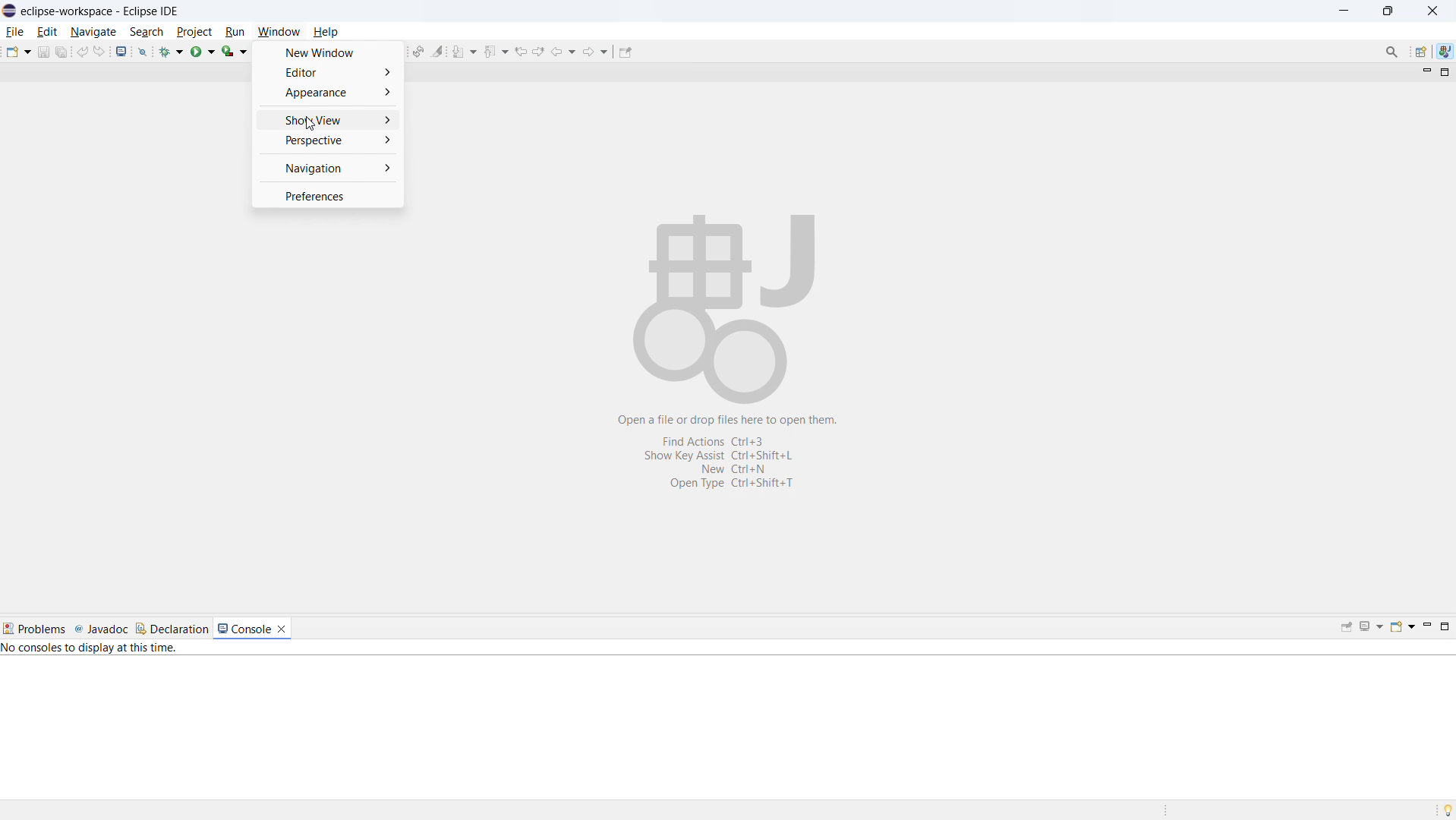 The image size is (1456, 820). I want to click on run, so click(203, 52).